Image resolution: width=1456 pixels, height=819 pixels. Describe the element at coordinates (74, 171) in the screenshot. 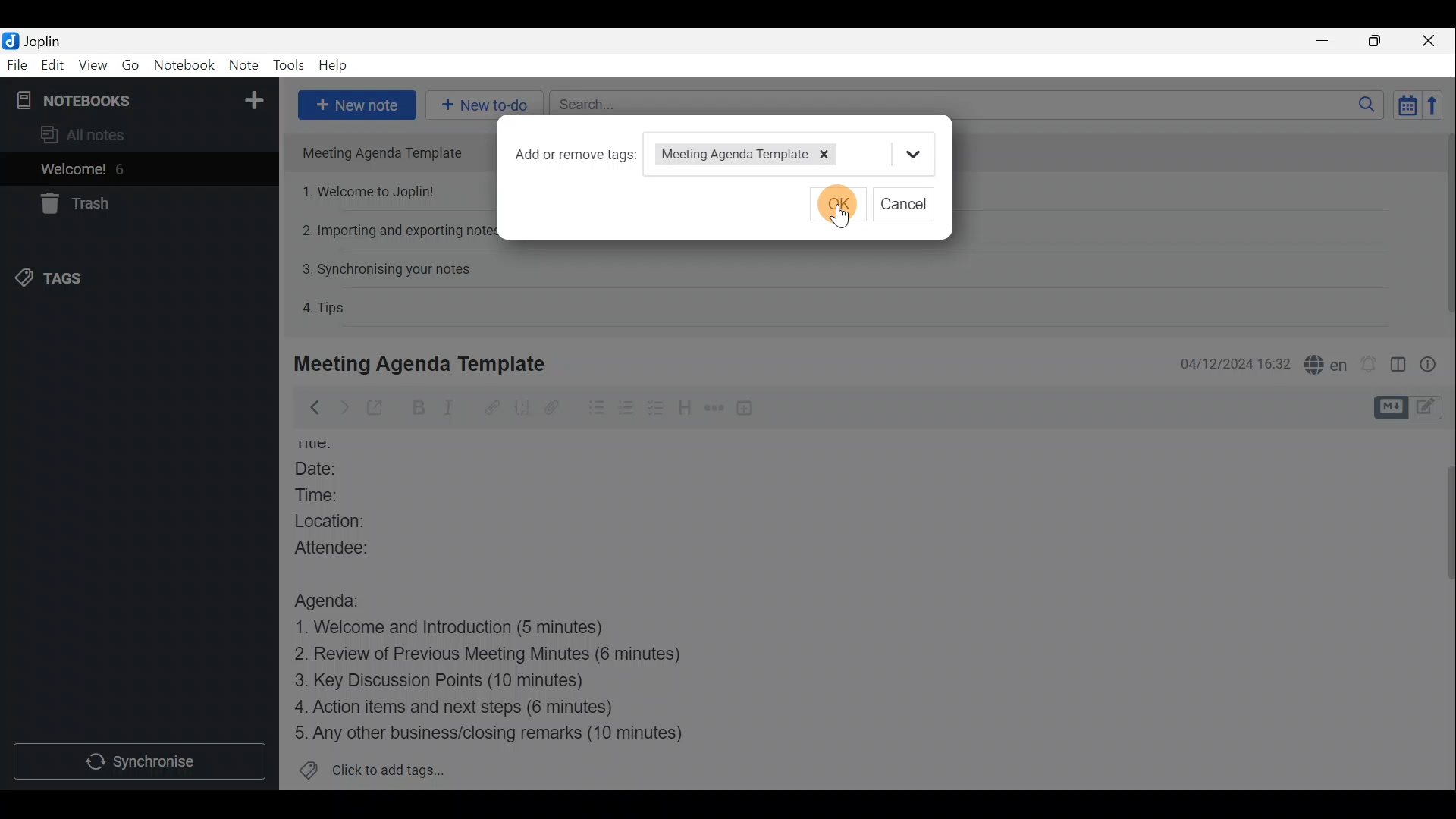

I see `Welcome!` at that location.